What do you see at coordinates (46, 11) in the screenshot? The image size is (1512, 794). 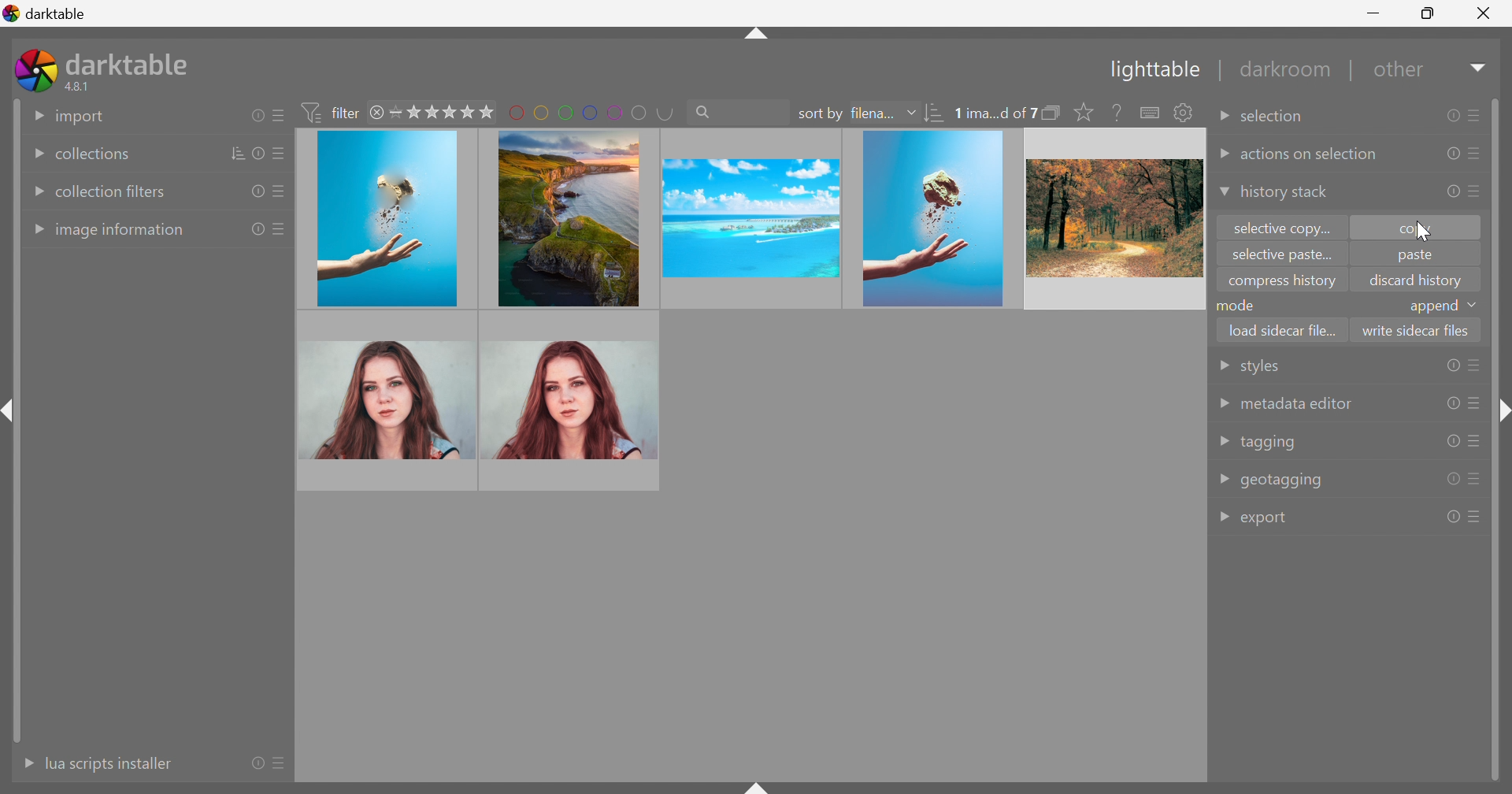 I see `darktable` at bounding box center [46, 11].